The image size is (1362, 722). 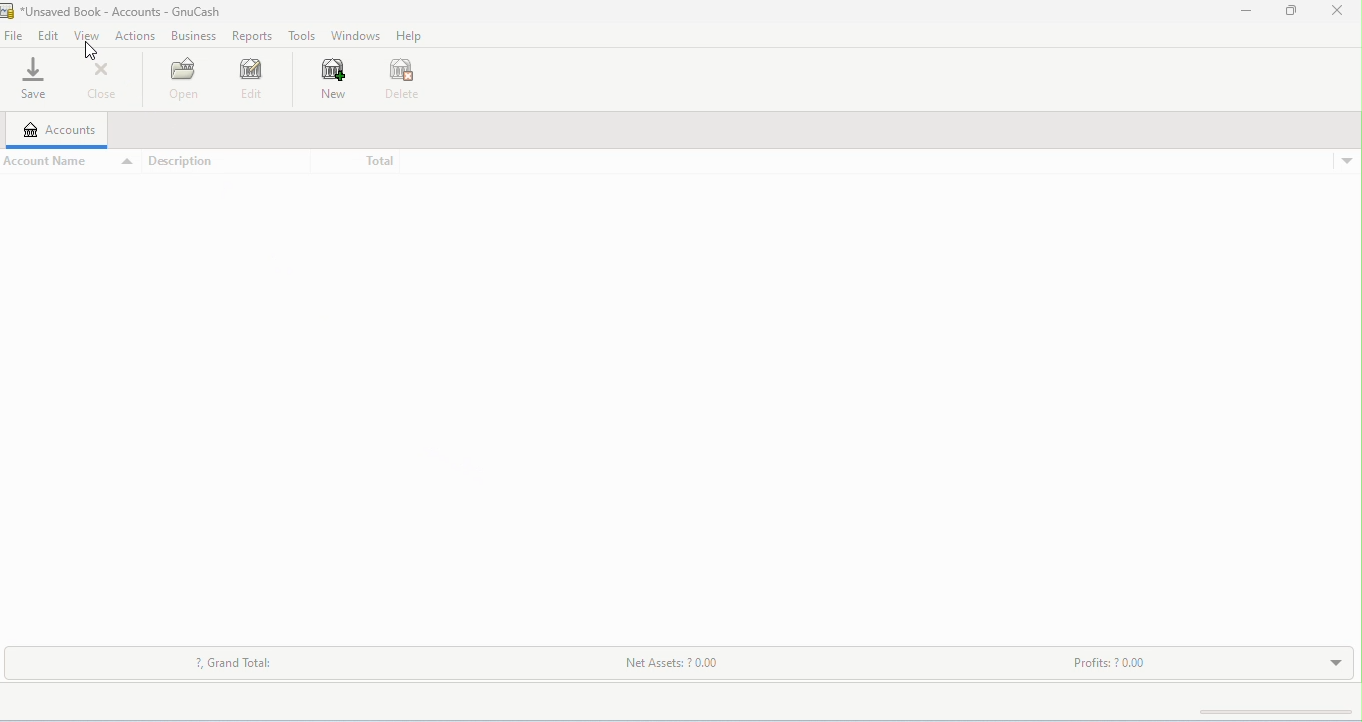 What do you see at coordinates (49, 37) in the screenshot?
I see `edit` at bounding box center [49, 37].